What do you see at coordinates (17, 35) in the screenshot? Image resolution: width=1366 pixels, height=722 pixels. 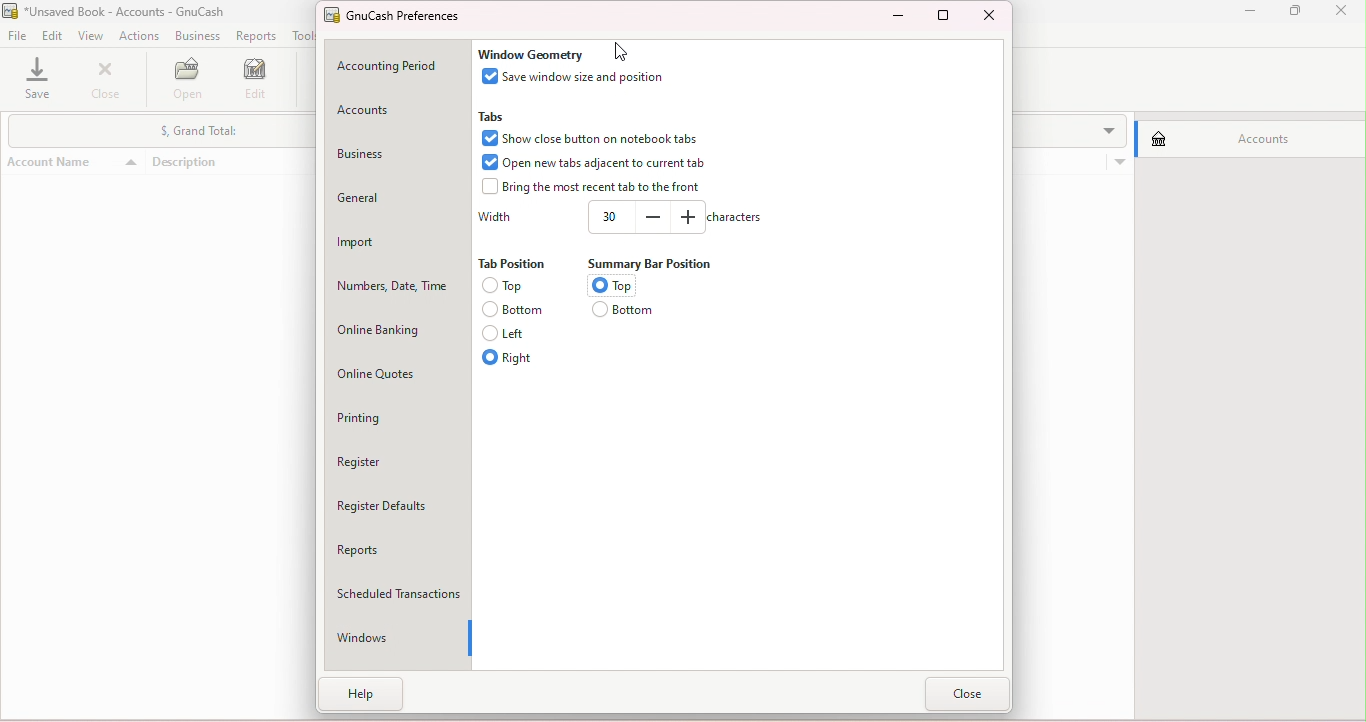 I see `File` at bounding box center [17, 35].